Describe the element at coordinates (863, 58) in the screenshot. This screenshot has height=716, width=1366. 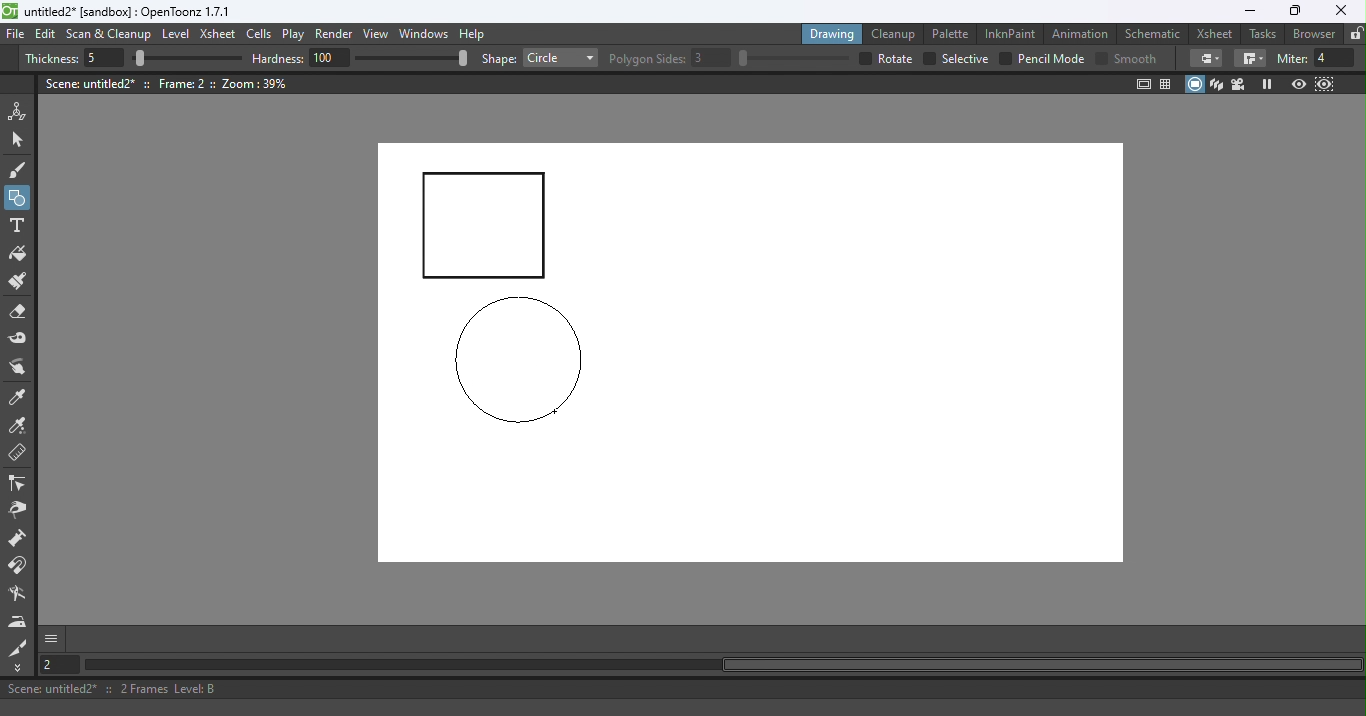
I see `checkbox` at that location.